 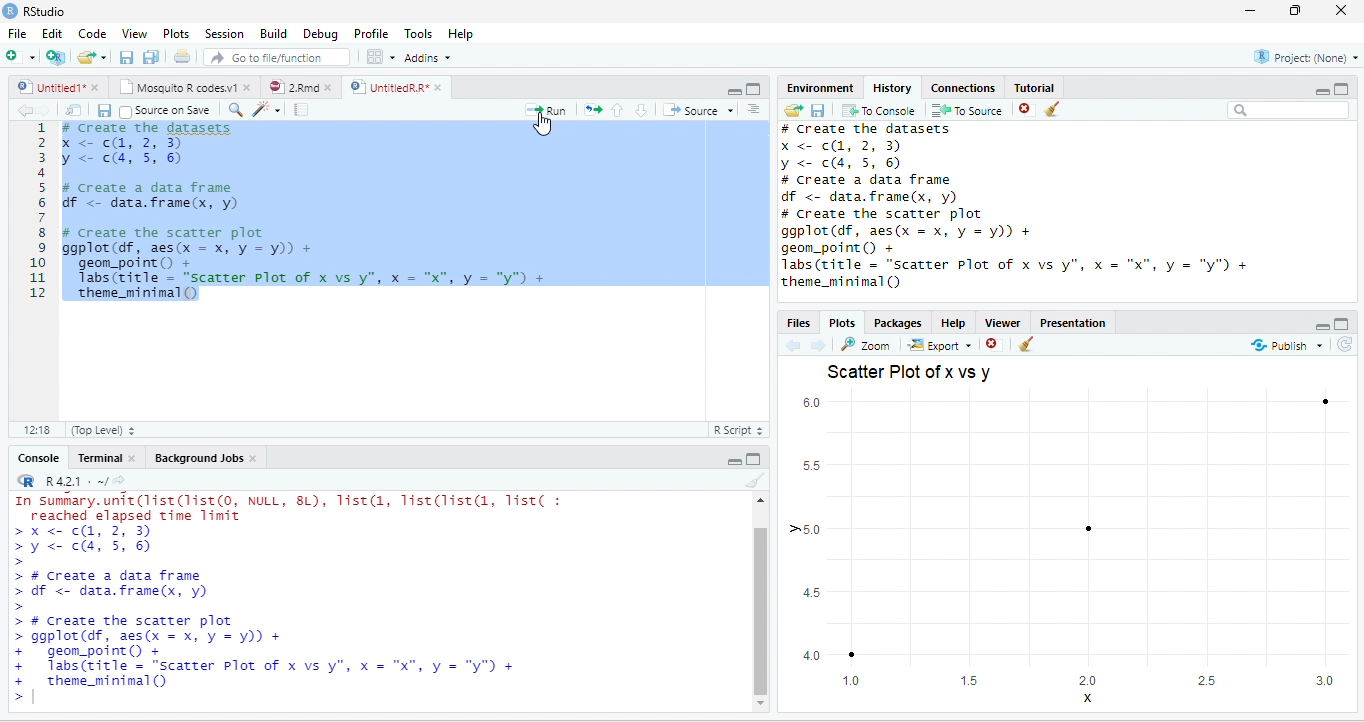 What do you see at coordinates (939, 345) in the screenshot?
I see `Export` at bounding box center [939, 345].